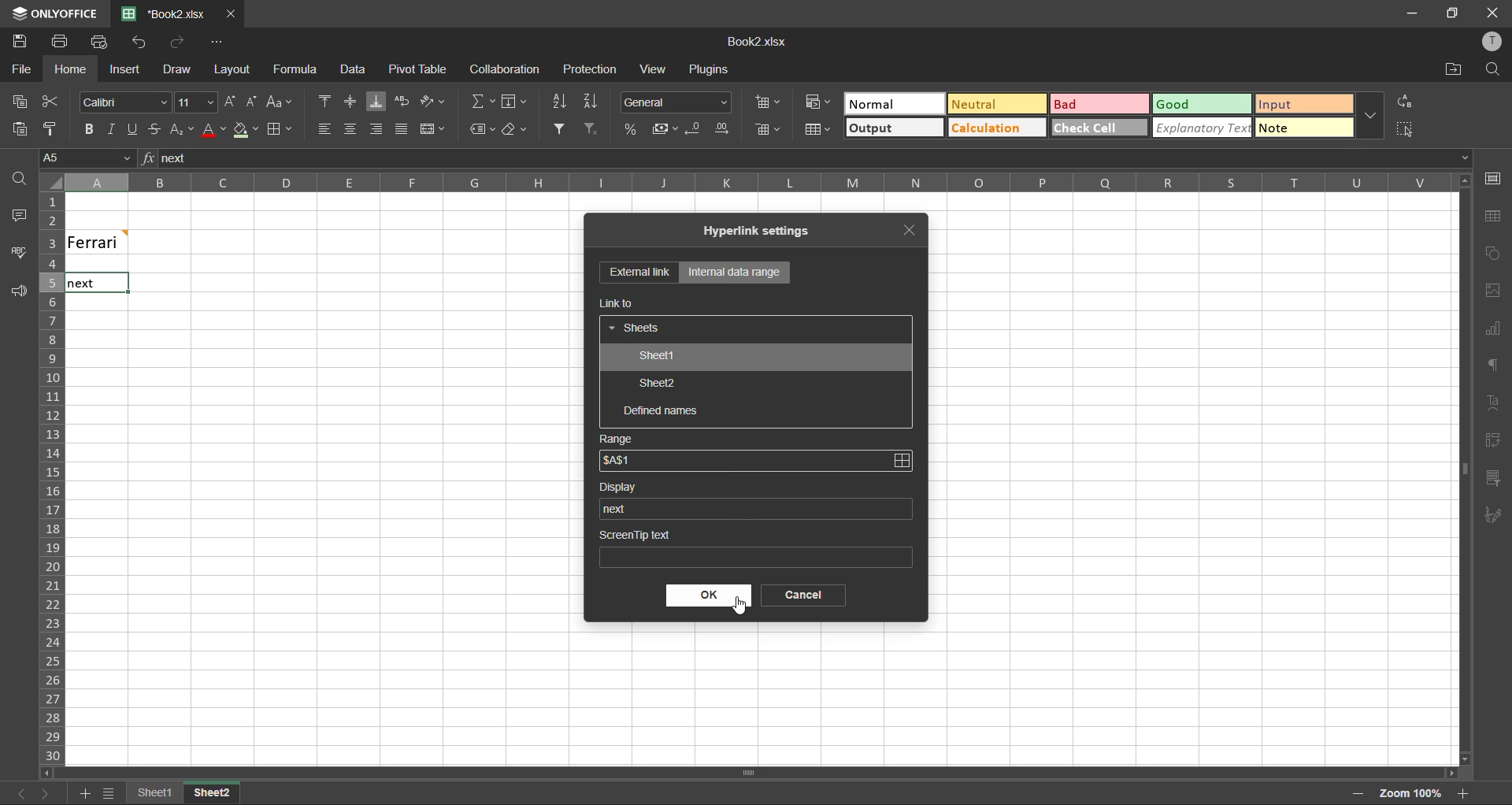 The height and width of the screenshot is (805, 1512). I want to click on strikethrough, so click(154, 130).